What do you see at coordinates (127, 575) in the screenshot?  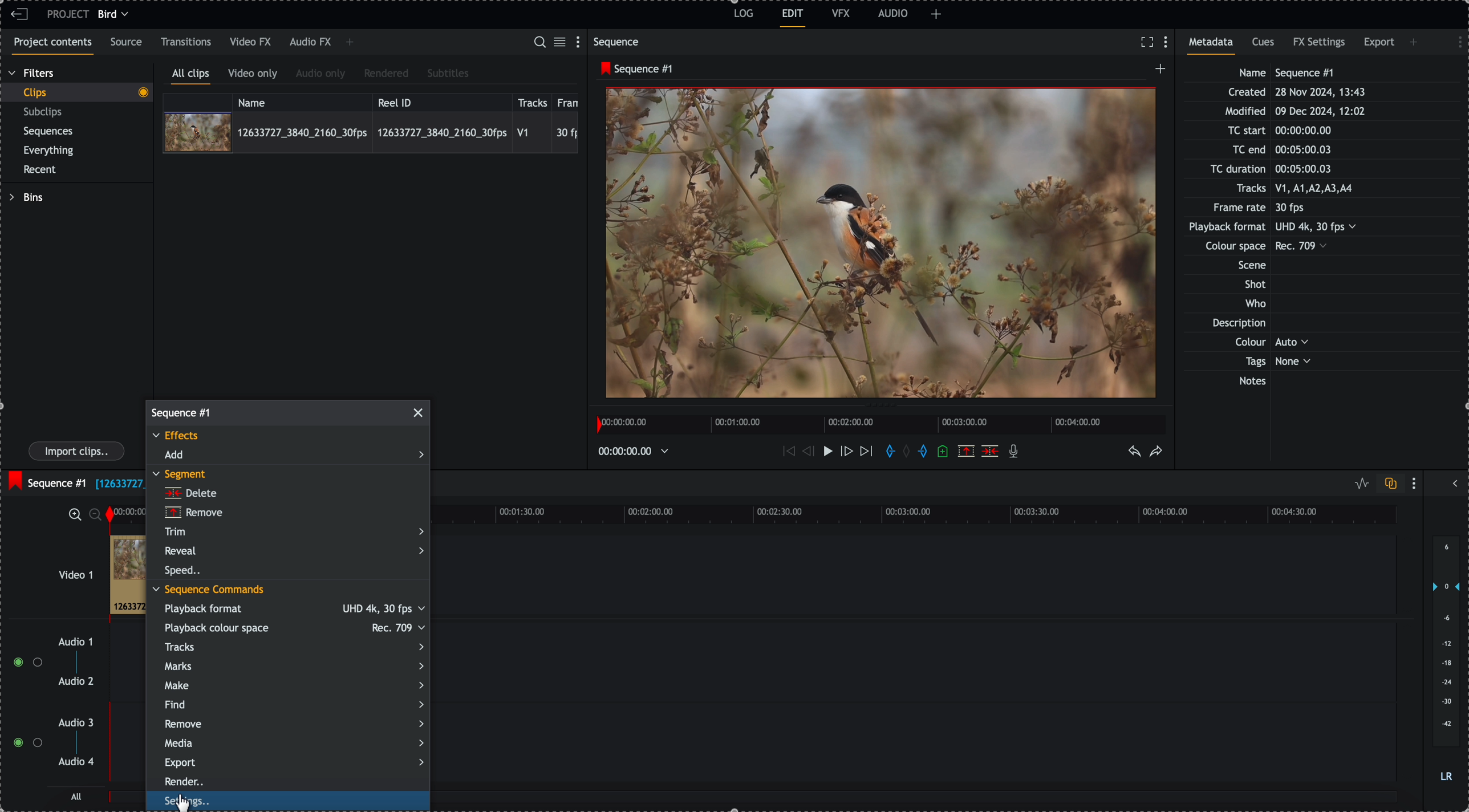 I see `clip` at bounding box center [127, 575].